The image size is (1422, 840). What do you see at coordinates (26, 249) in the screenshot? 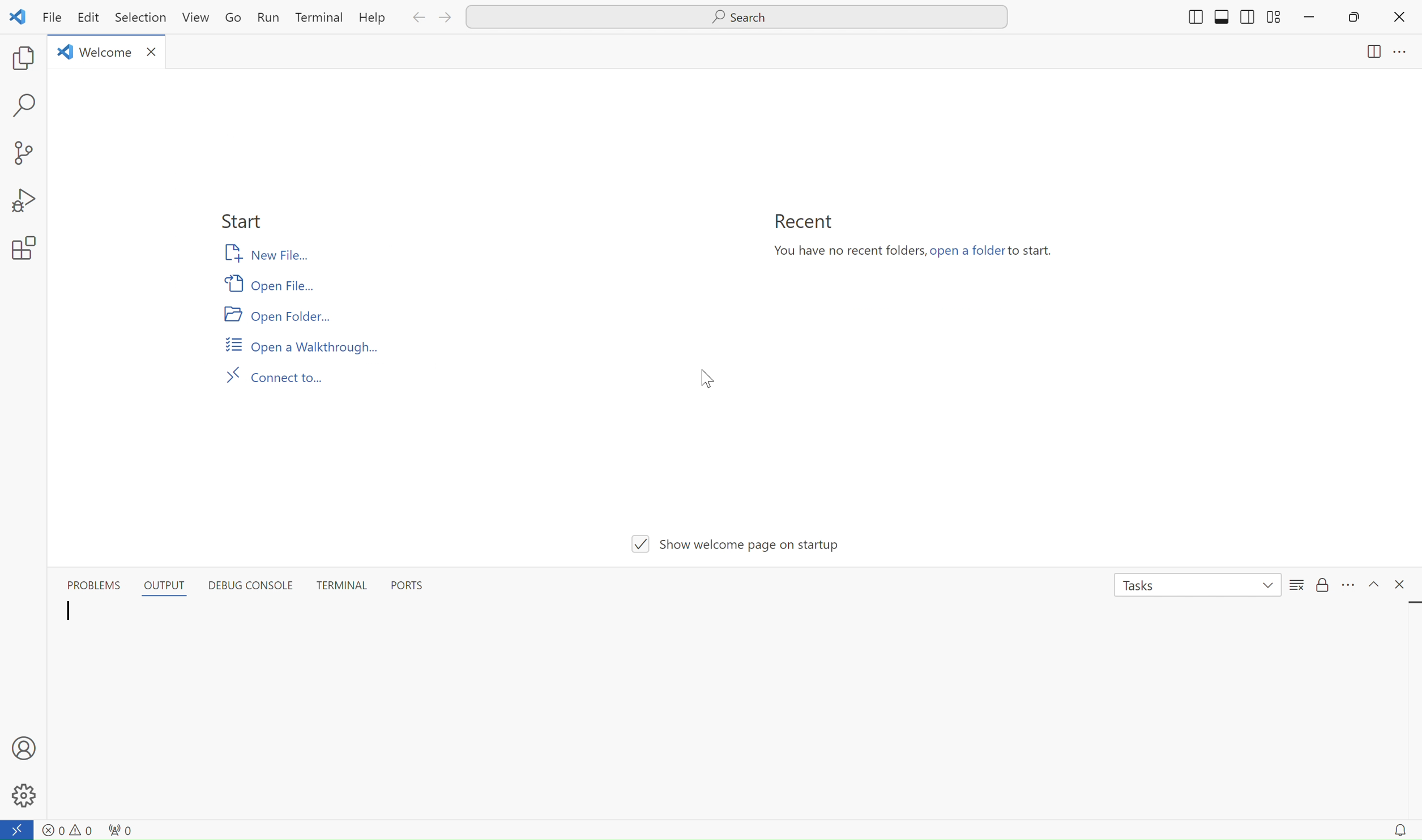
I see `settings` at bounding box center [26, 249].